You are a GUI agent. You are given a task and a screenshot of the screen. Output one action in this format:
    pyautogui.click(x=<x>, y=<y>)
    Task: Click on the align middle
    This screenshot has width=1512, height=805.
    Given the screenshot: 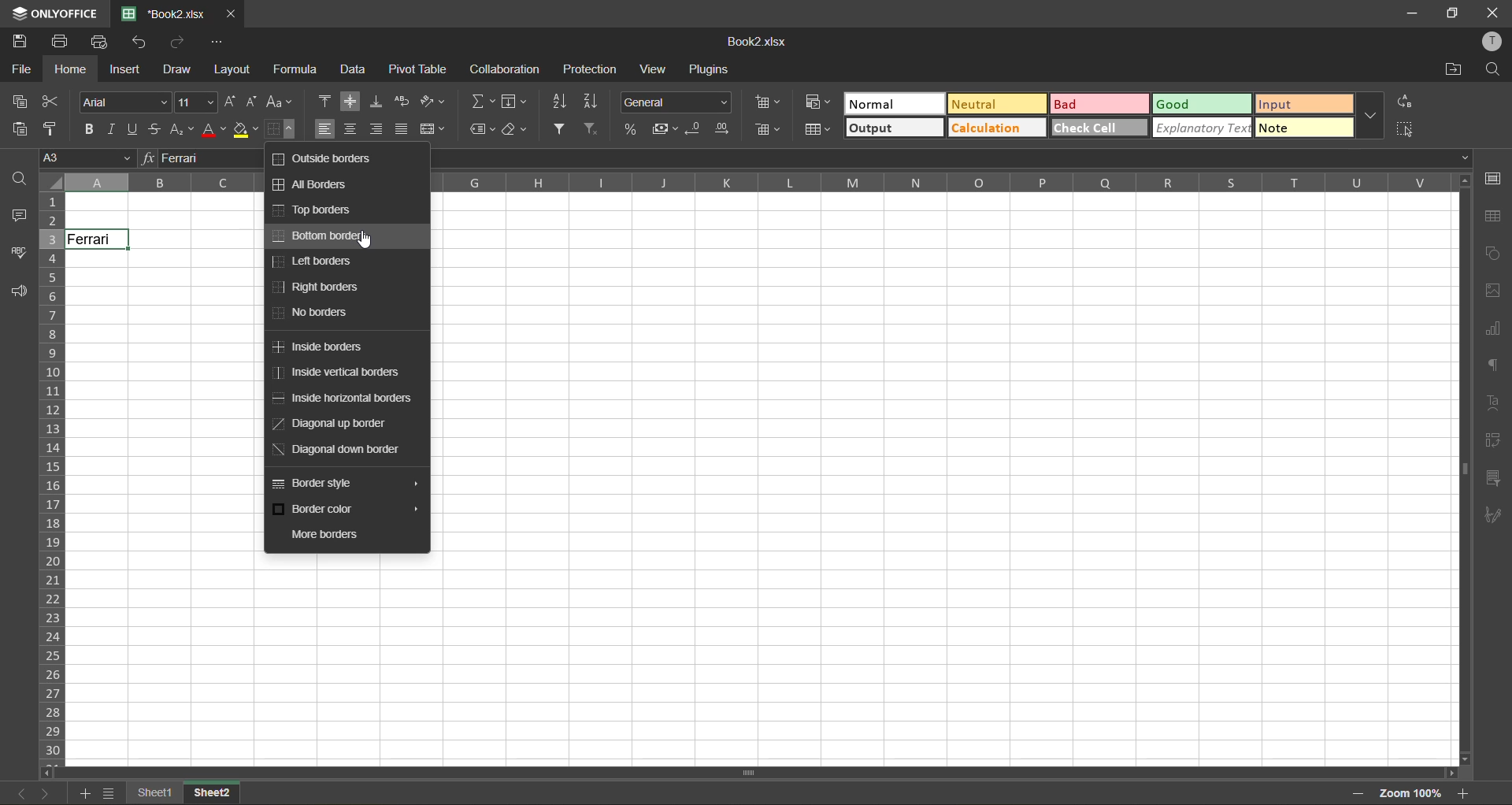 What is the action you would take?
    pyautogui.click(x=350, y=102)
    